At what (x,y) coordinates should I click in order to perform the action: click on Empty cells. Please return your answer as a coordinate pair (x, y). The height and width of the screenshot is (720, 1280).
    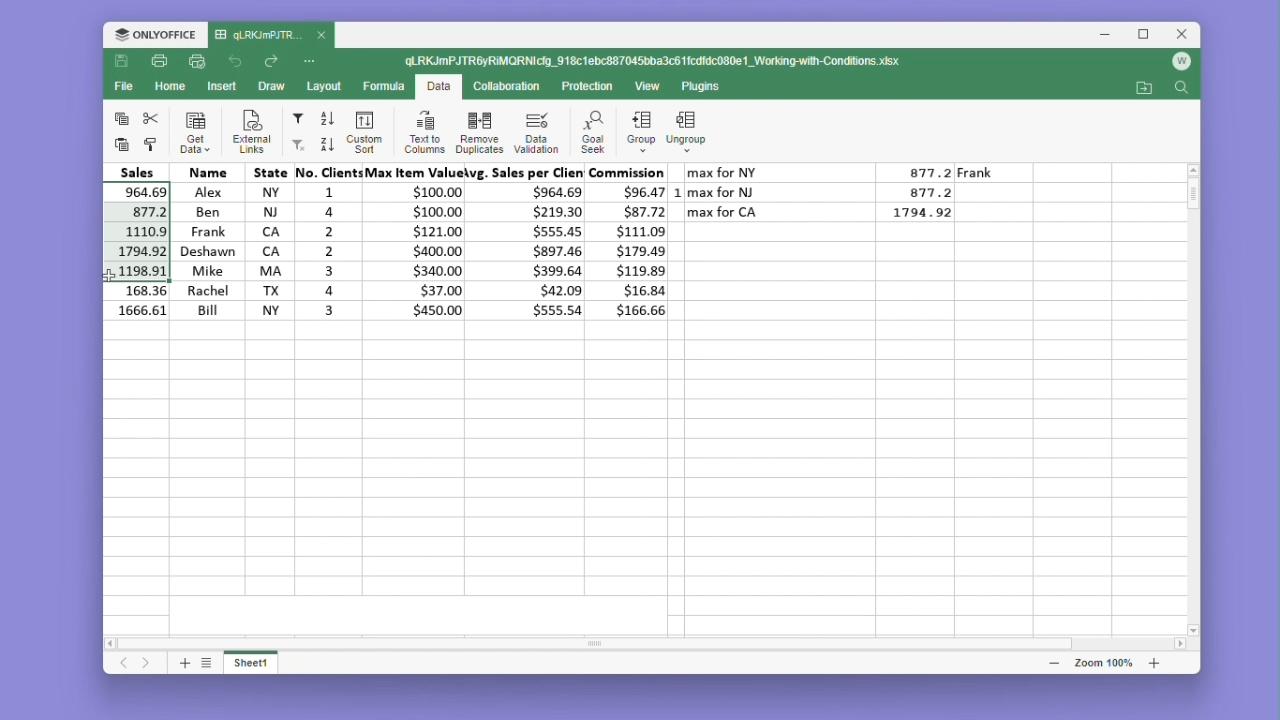
    Looking at the image, I should click on (648, 480).